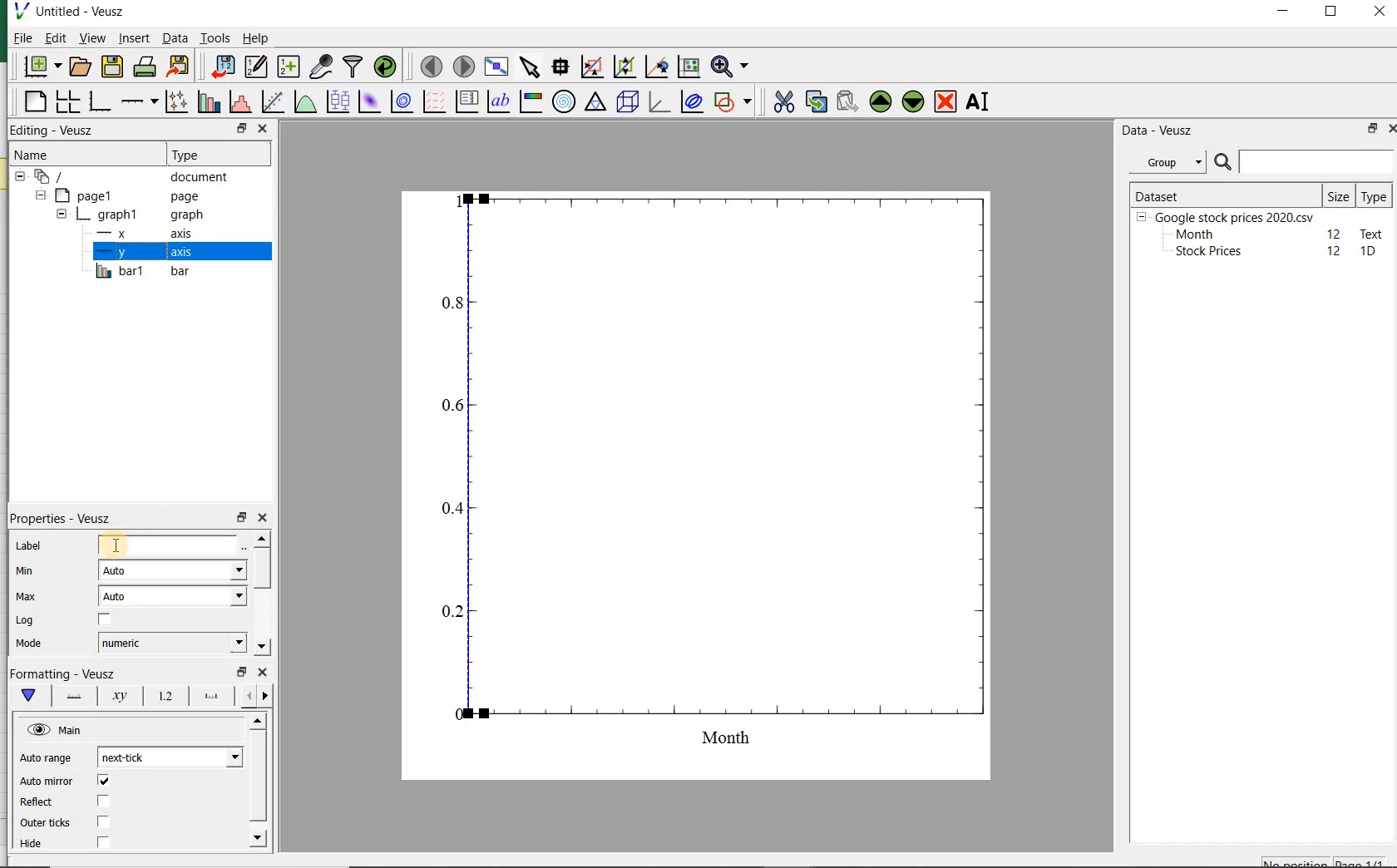 This screenshot has height=868, width=1397. What do you see at coordinates (261, 594) in the screenshot?
I see `scrollbar` at bounding box center [261, 594].